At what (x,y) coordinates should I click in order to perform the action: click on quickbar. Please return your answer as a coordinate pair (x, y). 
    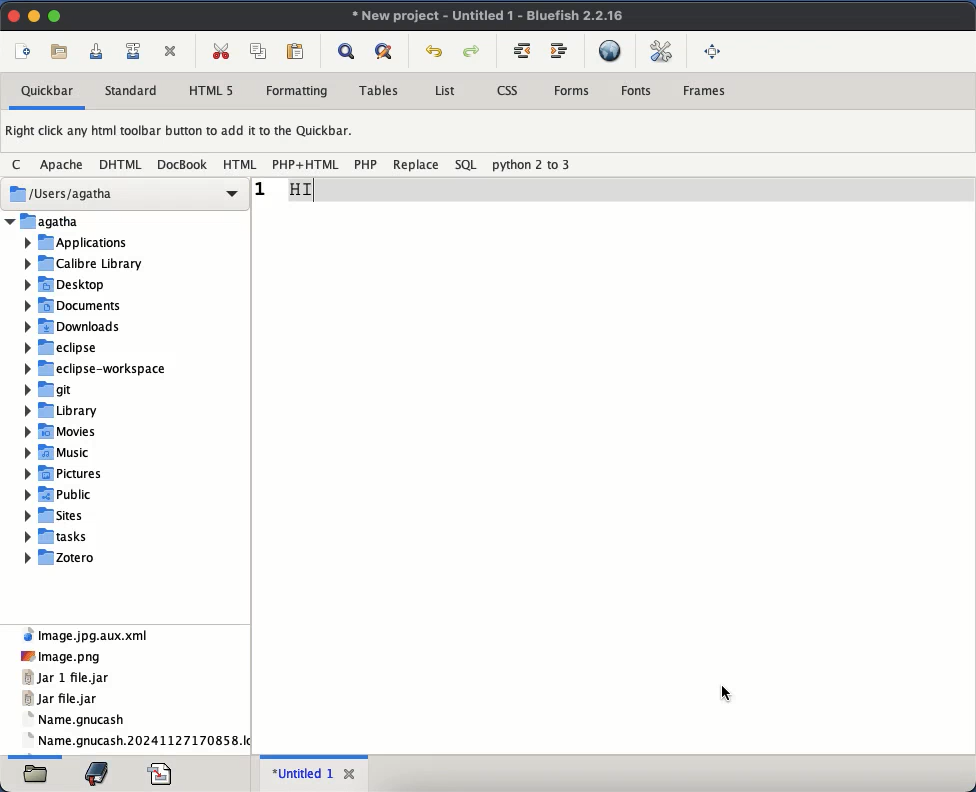
    Looking at the image, I should click on (48, 91).